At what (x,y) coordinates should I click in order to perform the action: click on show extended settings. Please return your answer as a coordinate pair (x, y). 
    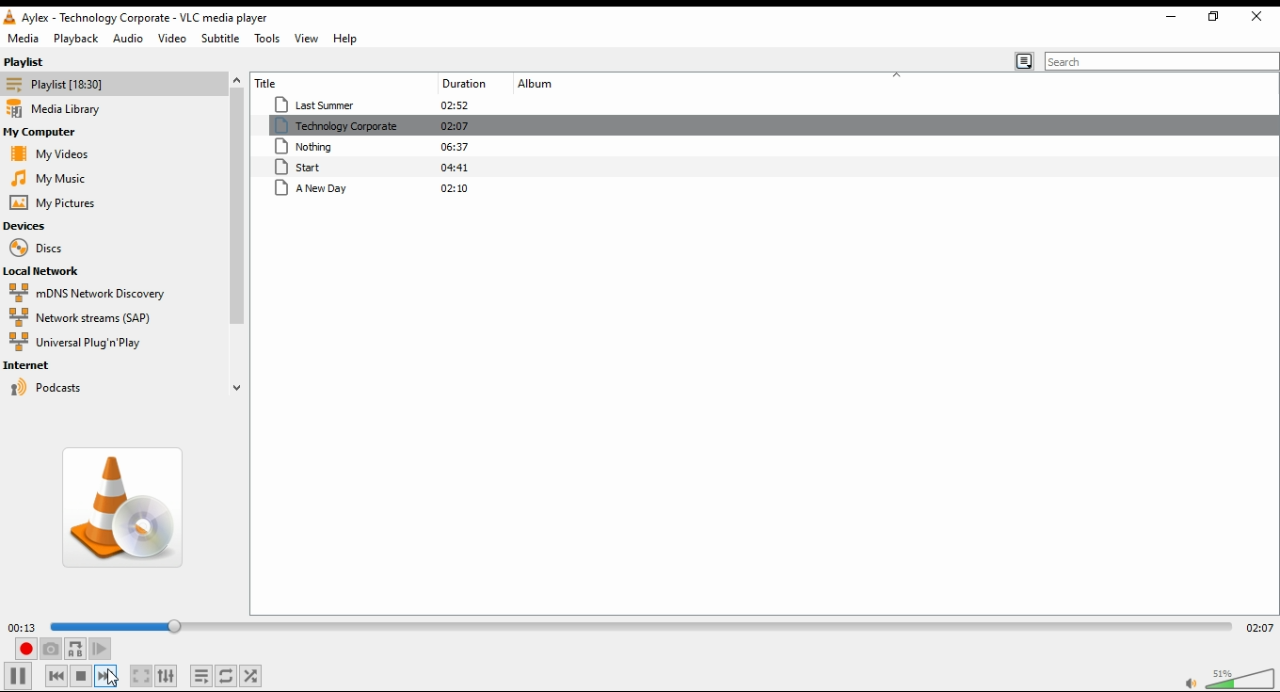
    Looking at the image, I should click on (168, 676).